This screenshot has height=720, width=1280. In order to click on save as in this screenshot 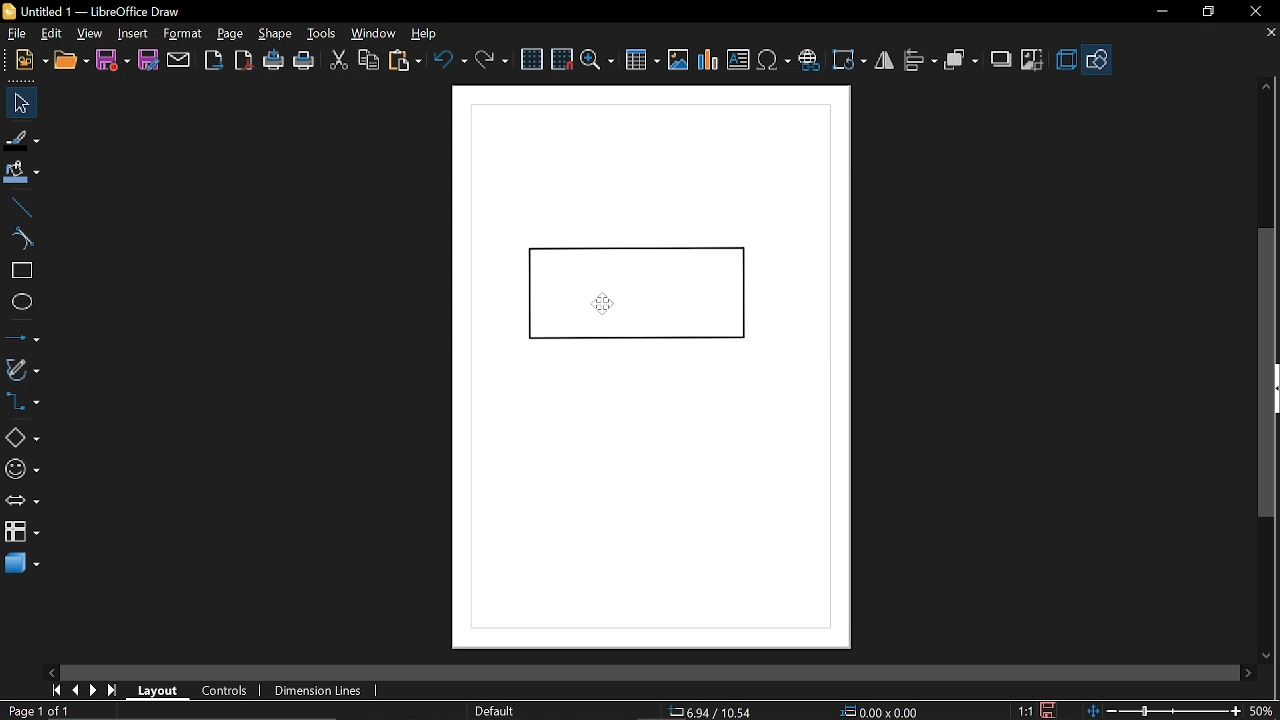, I will do `click(148, 60)`.